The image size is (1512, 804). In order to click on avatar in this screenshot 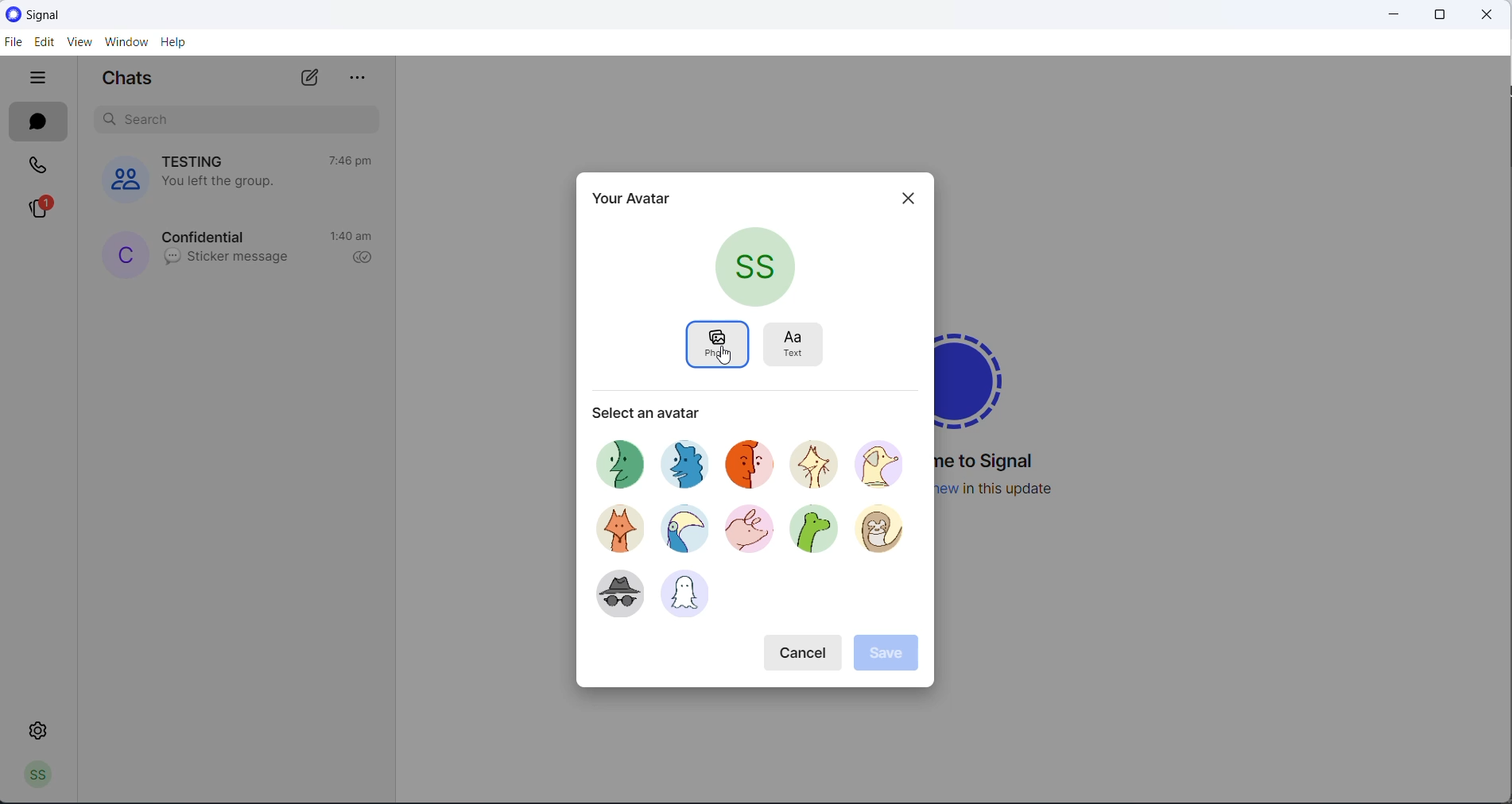, I will do `click(883, 531)`.